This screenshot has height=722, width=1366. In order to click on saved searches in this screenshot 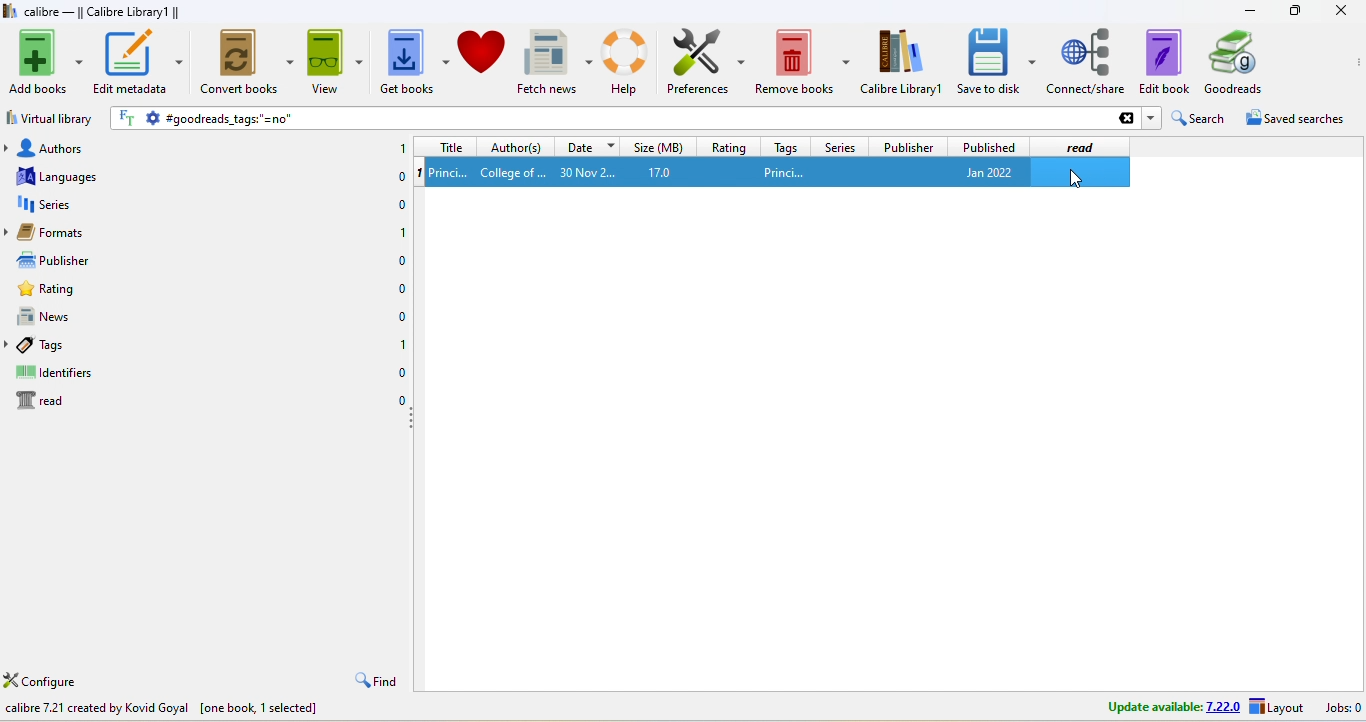, I will do `click(1292, 118)`.